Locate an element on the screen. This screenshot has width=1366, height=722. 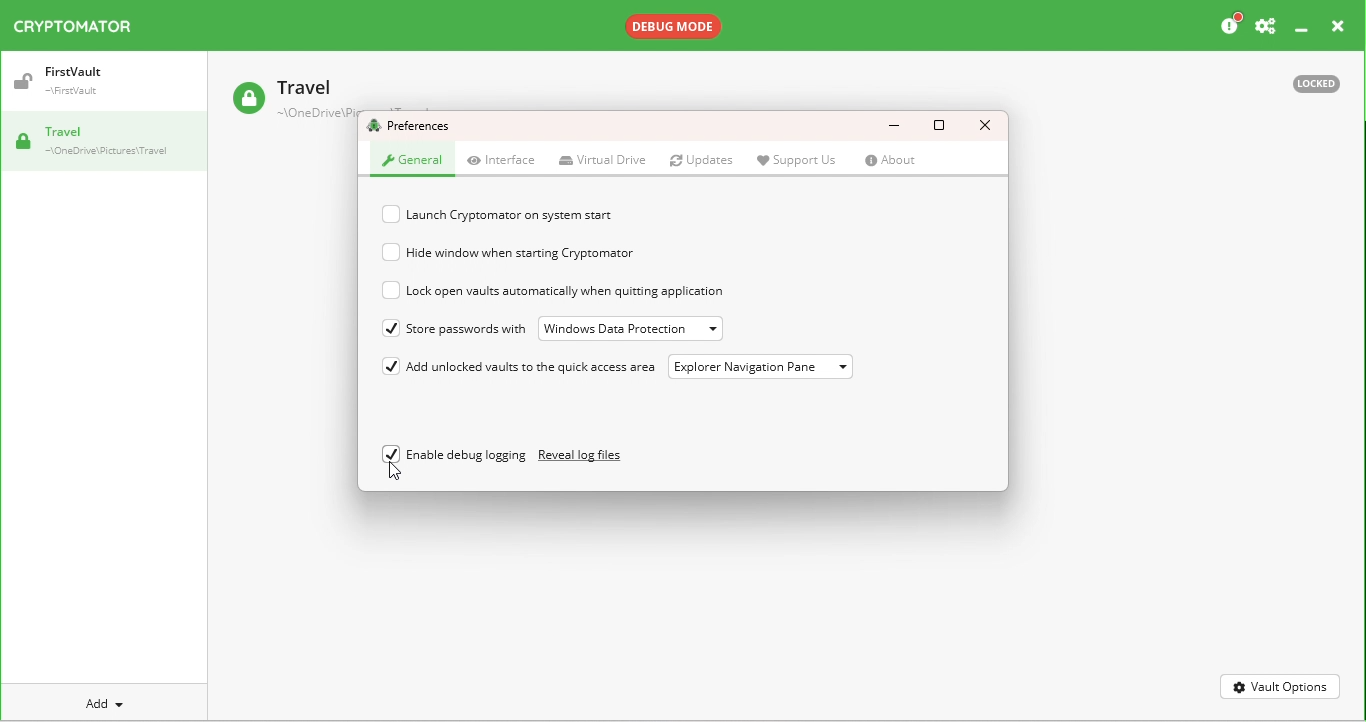
Vault options is located at coordinates (1279, 686).